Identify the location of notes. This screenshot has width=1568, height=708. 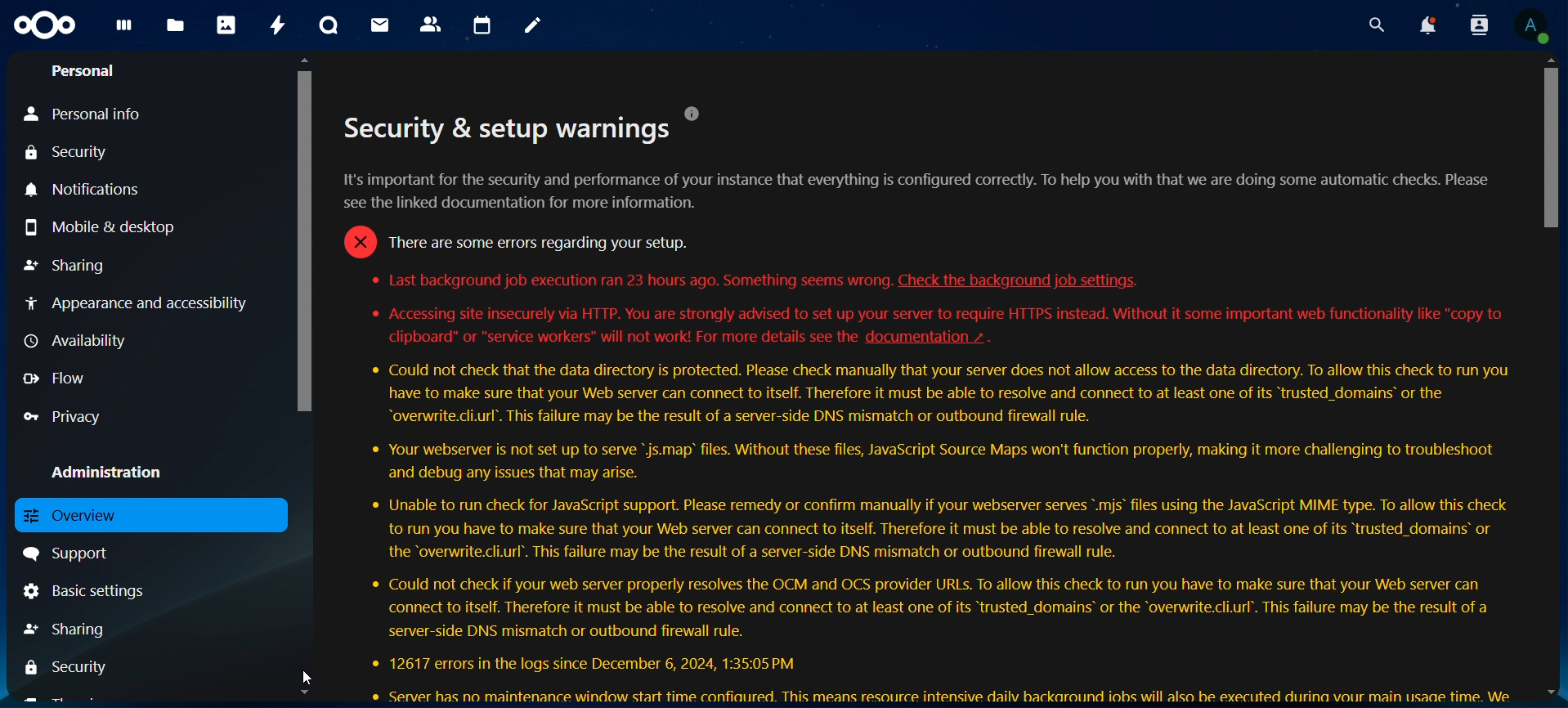
(531, 25).